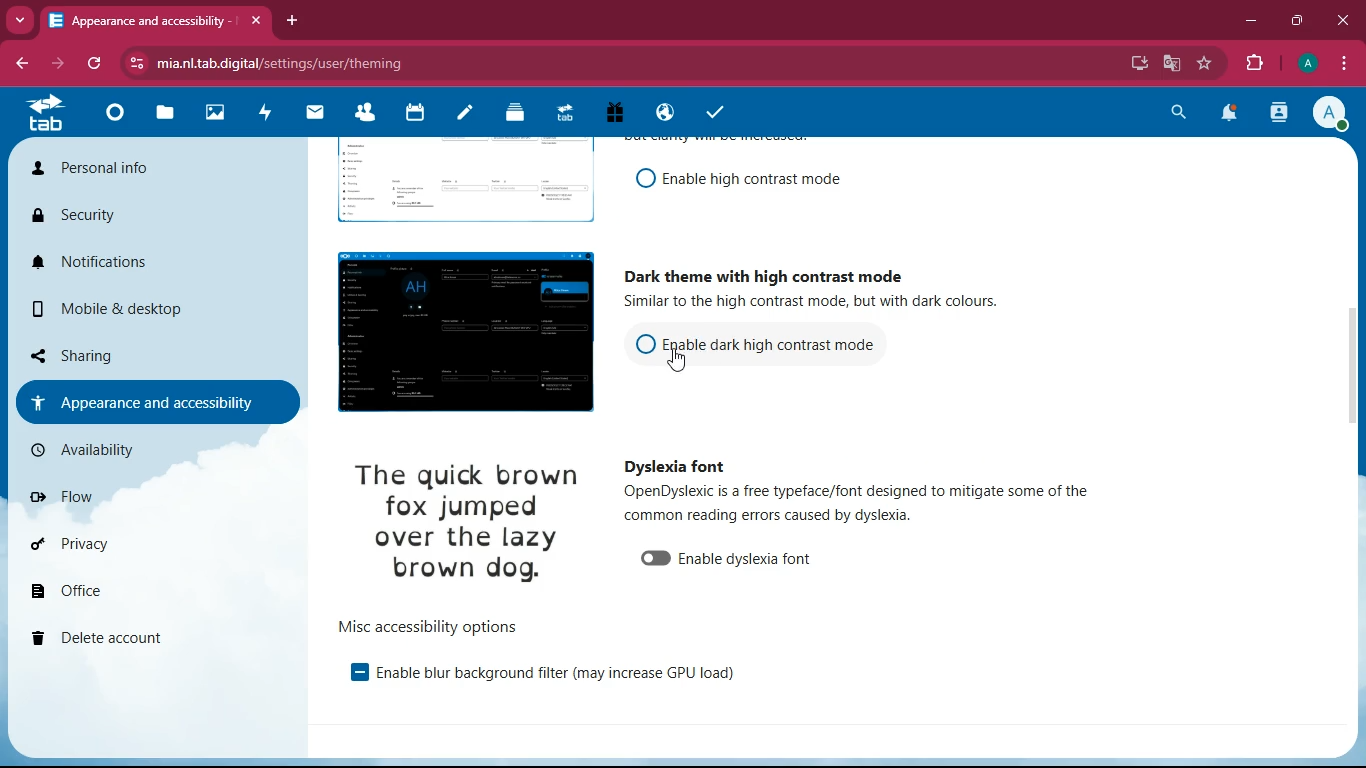  What do you see at coordinates (773, 341) in the screenshot?
I see `enable` at bounding box center [773, 341].